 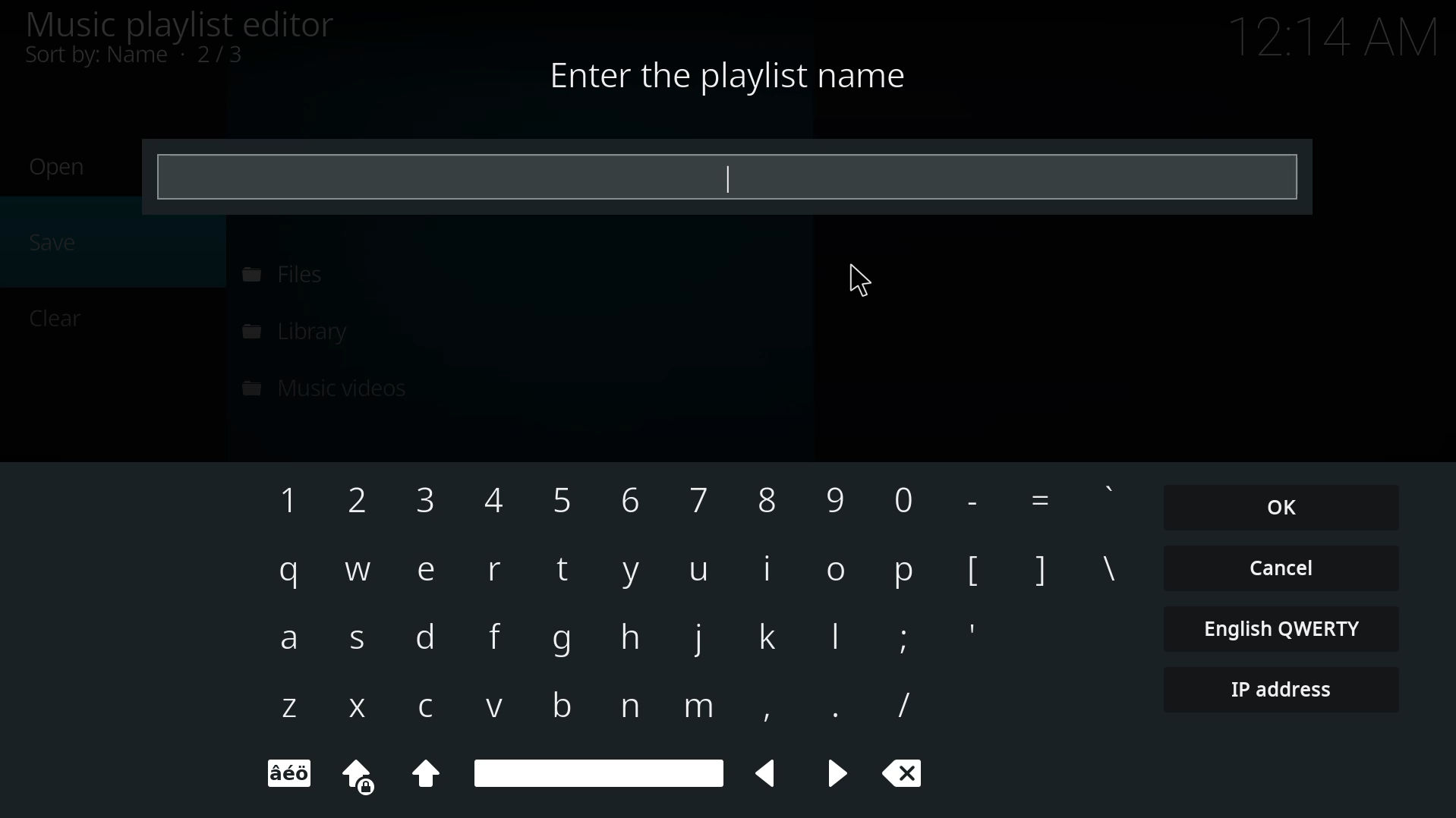 What do you see at coordinates (717, 175) in the screenshot?
I see `type` at bounding box center [717, 175].